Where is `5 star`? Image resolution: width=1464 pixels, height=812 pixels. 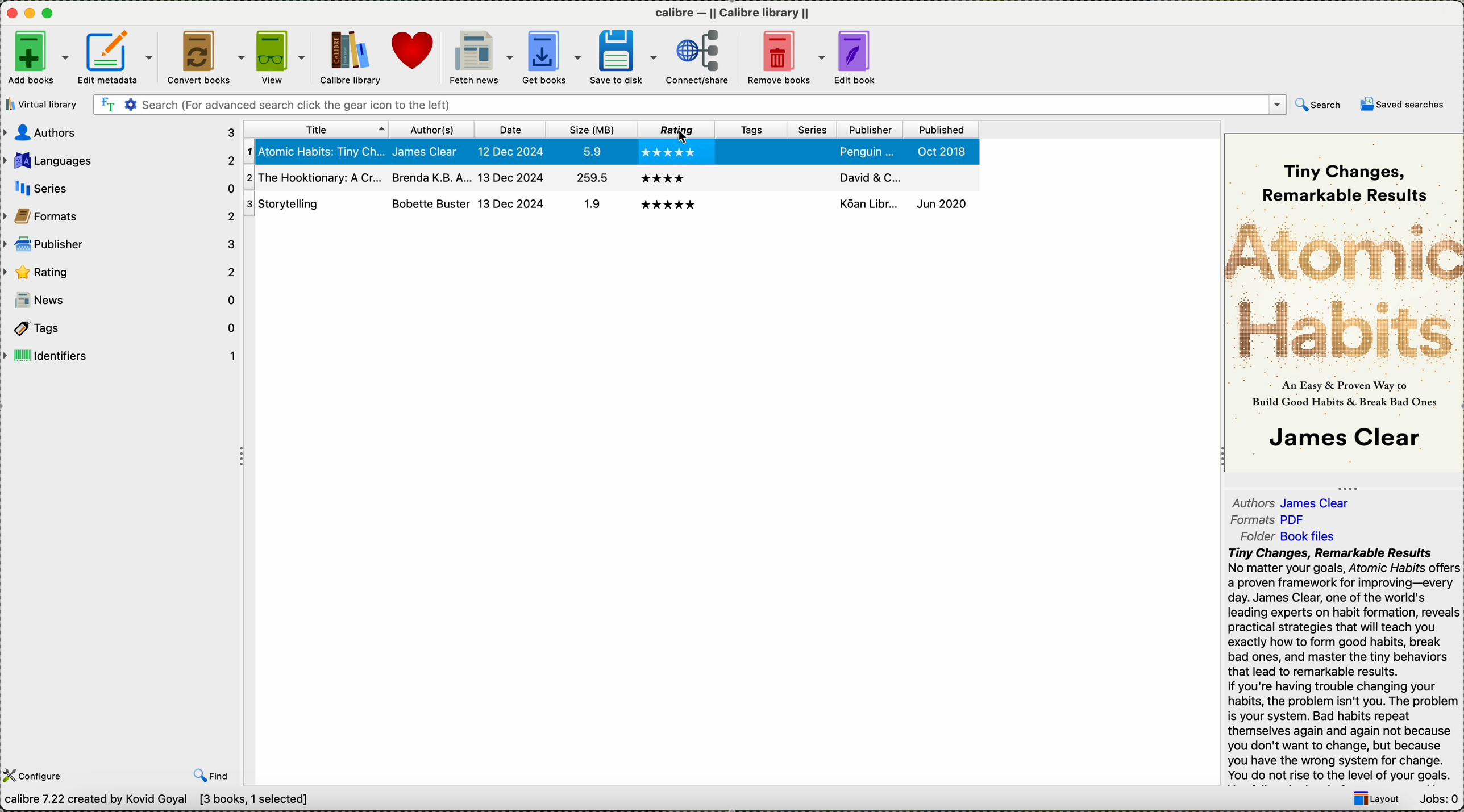 5 star is located at coordinates (671, 152).